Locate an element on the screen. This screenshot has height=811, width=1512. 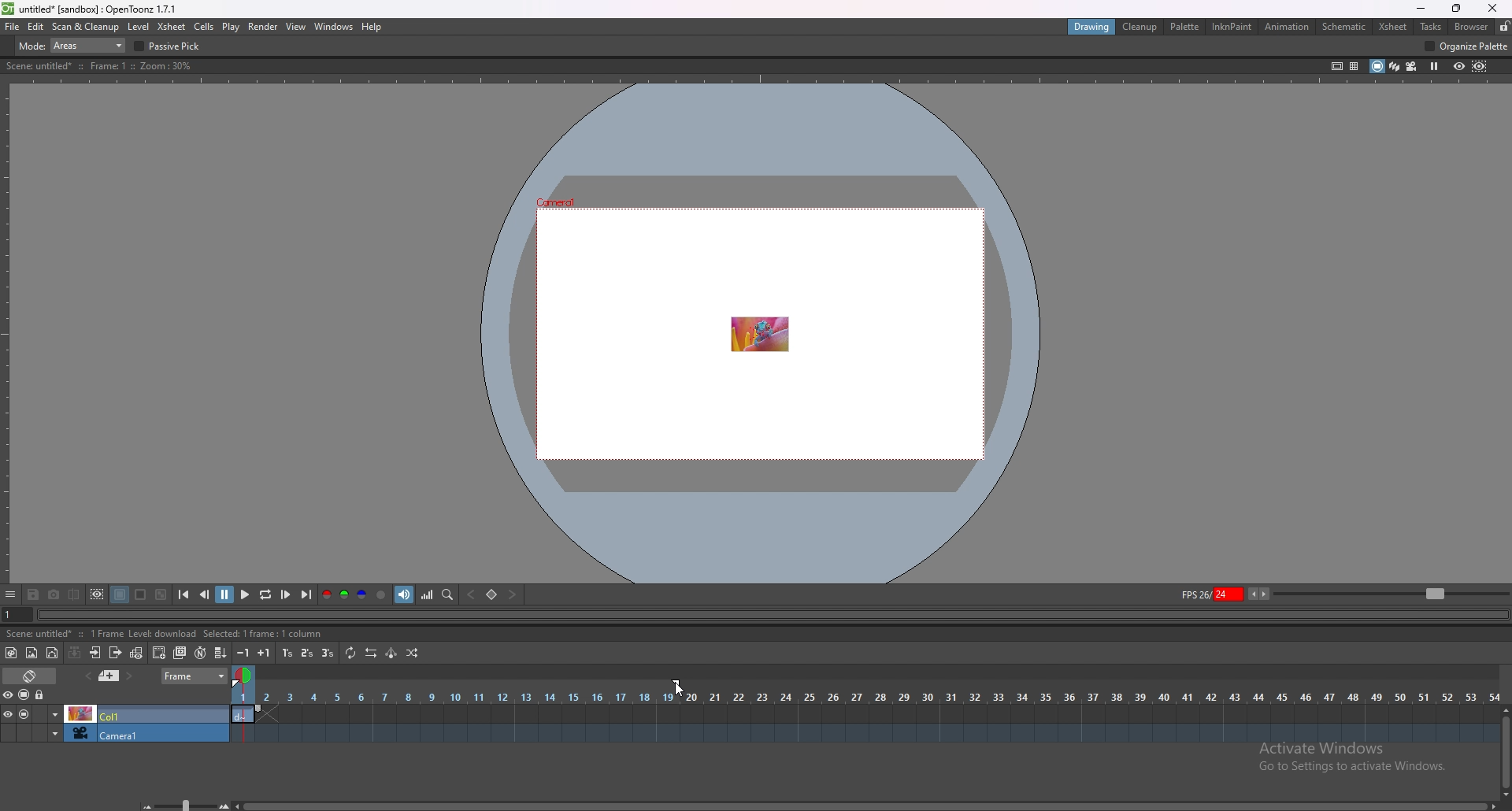
inknpaint is located at coordinates (1232, 26).